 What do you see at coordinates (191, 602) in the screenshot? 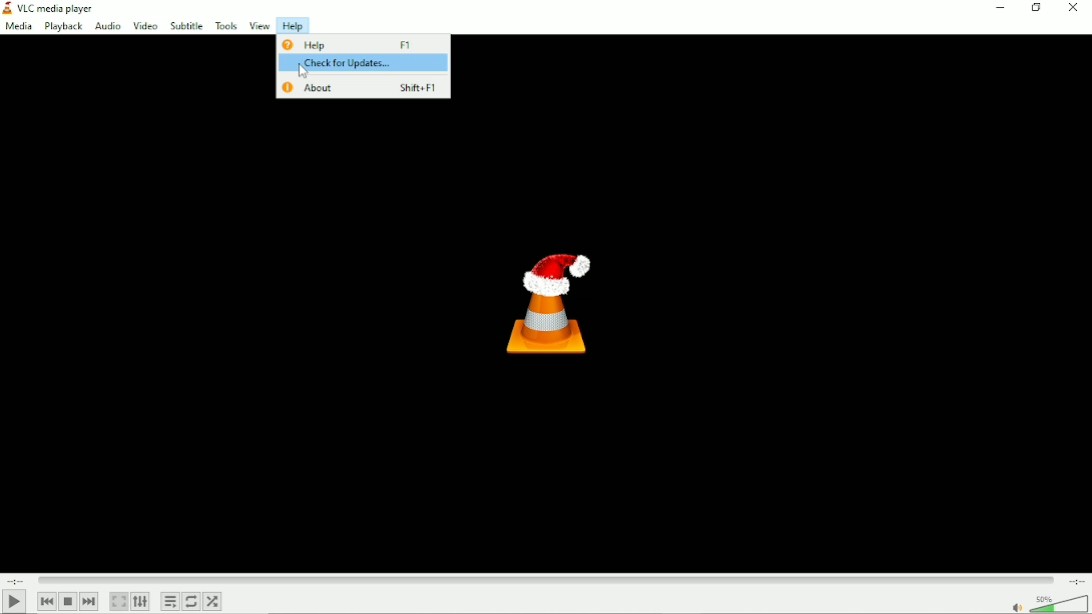
I see `Toggle between loop all, loop one and no loop` at bounding box center [191, 602].